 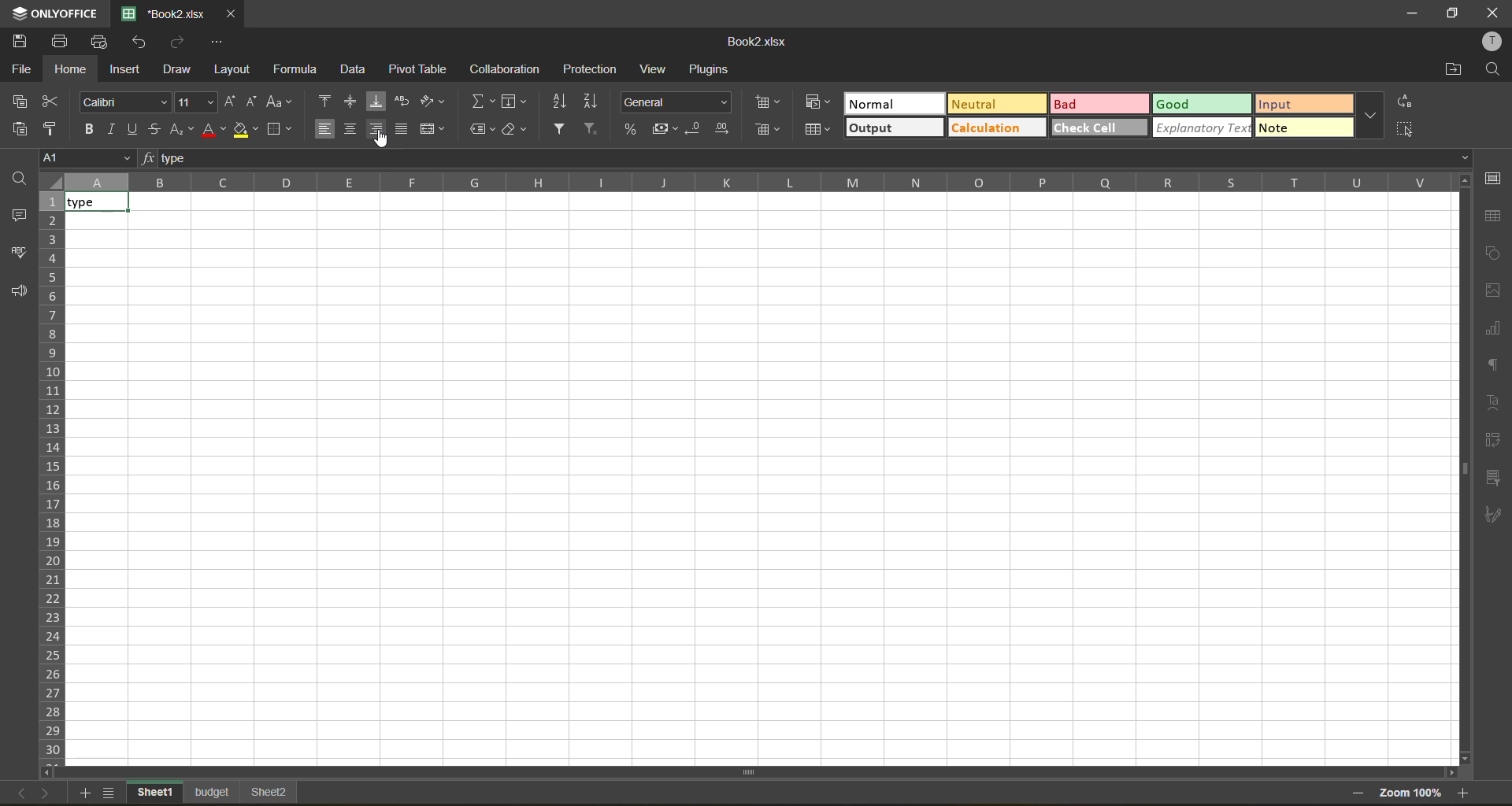 What do you see at coordinates (817, 132) in the screenshot?
I see `format as table` at bounding box center [817, 132].